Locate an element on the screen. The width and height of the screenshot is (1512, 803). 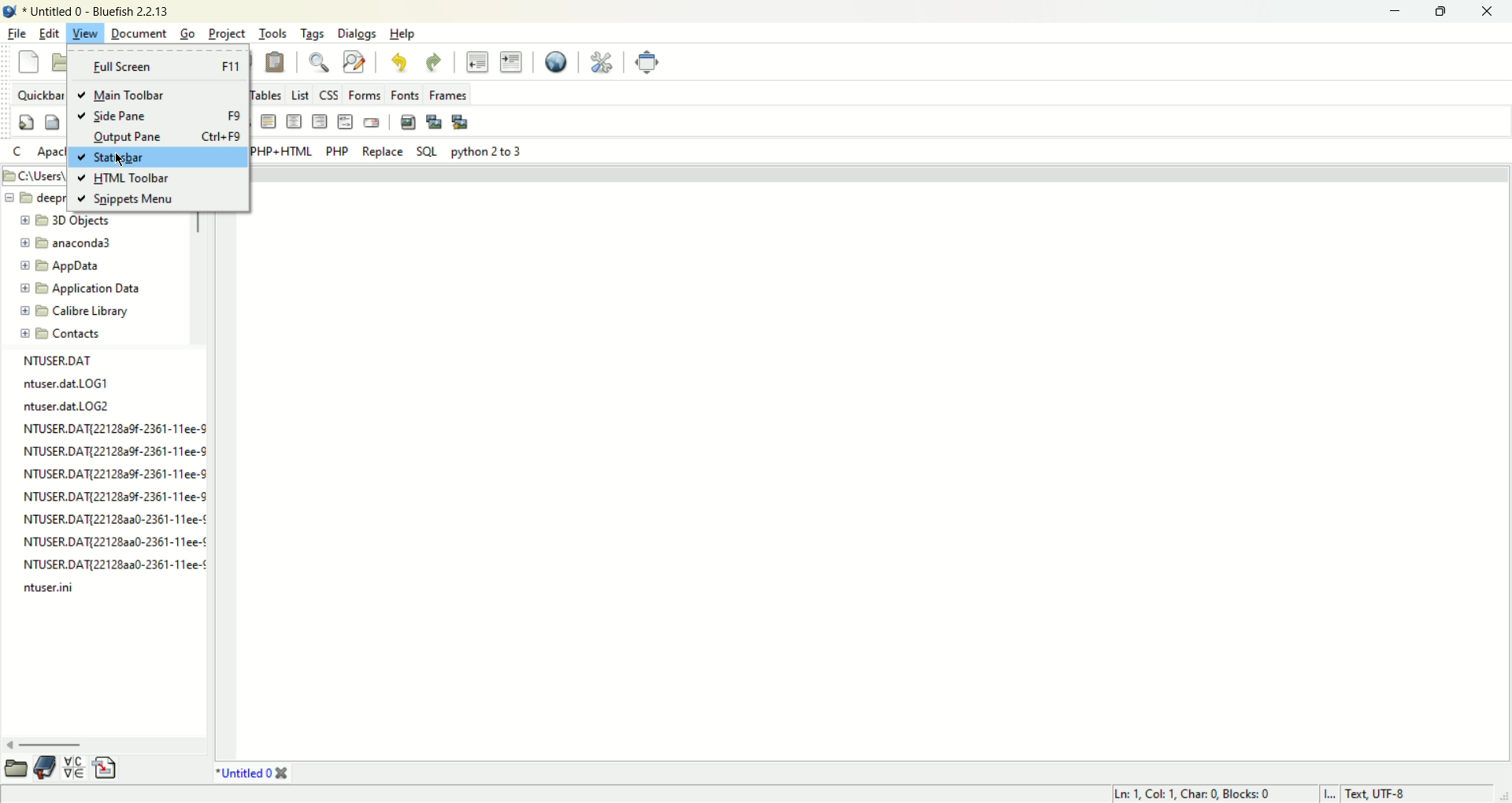
dialogs is located at coordinates (355, 33).